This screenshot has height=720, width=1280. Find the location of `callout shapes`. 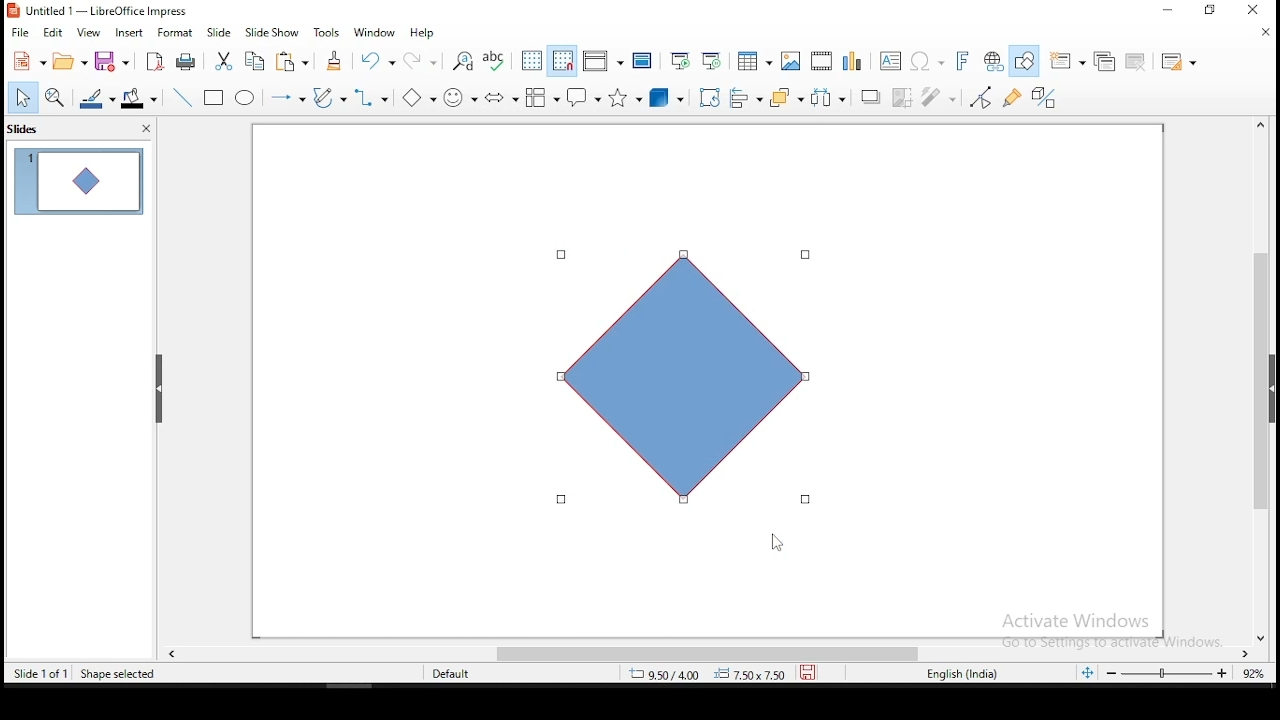

callout shapes is located at coordinates (585, 96).